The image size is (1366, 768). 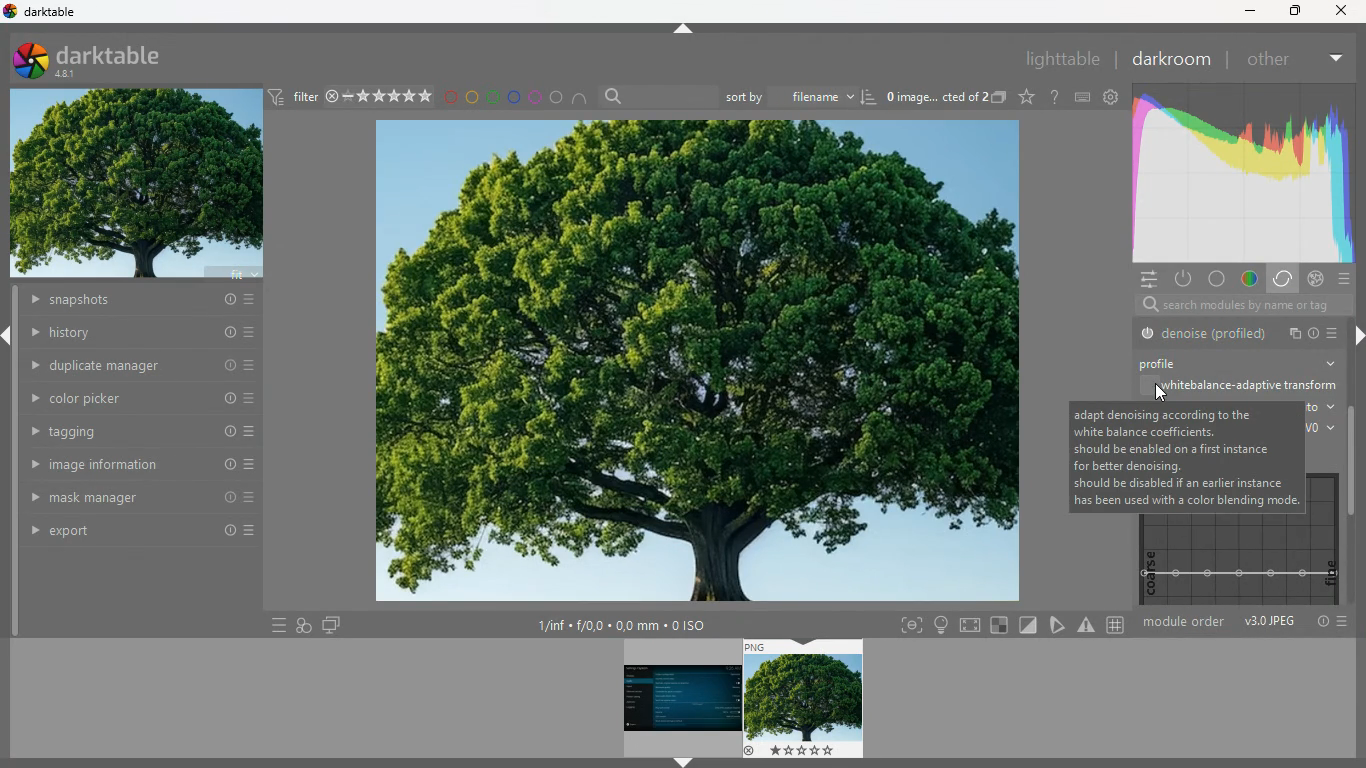 I want to click on filter, so click(x=295, y=98).